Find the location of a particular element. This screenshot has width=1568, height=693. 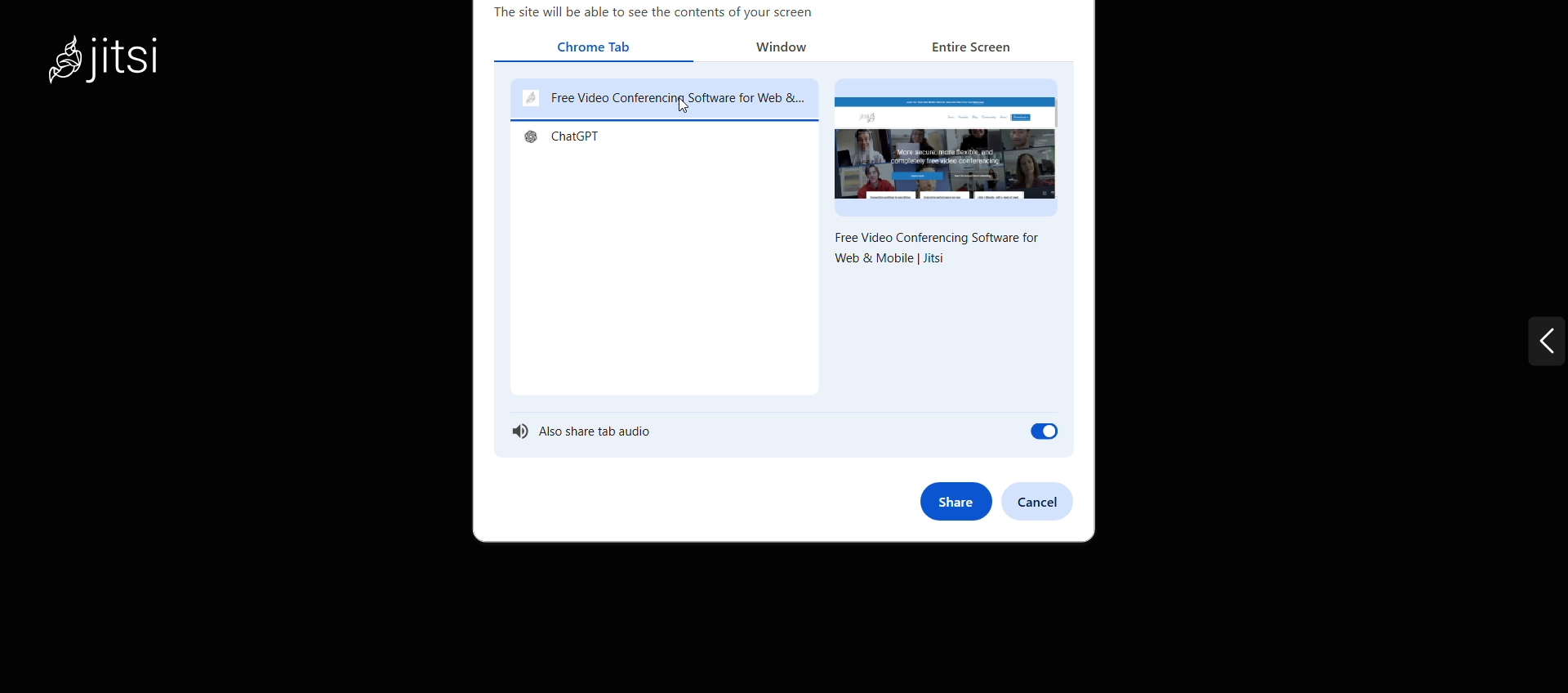

Entire Screen Tab is located at coordinates (966, 50).